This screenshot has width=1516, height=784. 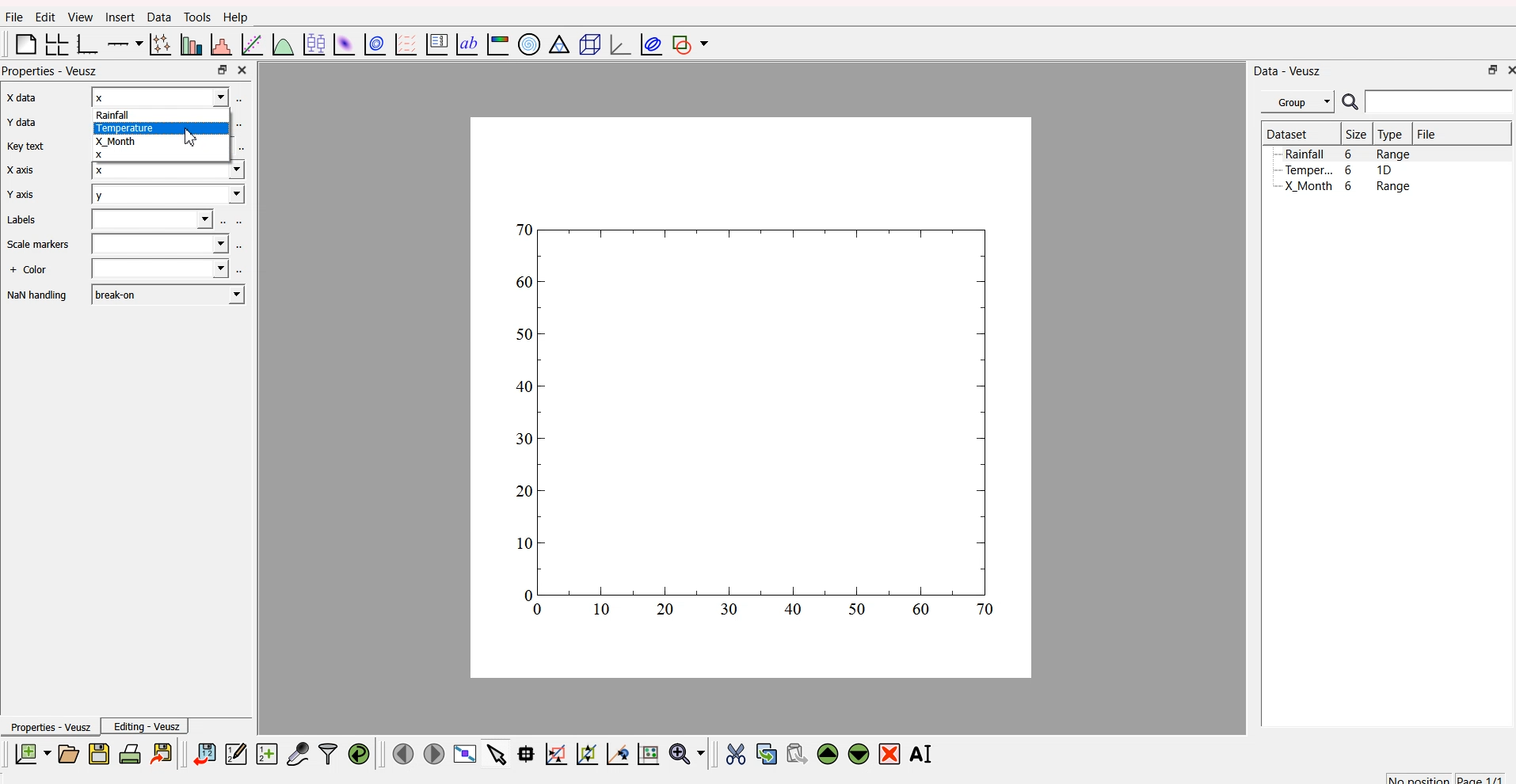 What do you see at coordinates (586, 44) in the screenshot?
I see `3D scene` at bounding box center [586, 44].